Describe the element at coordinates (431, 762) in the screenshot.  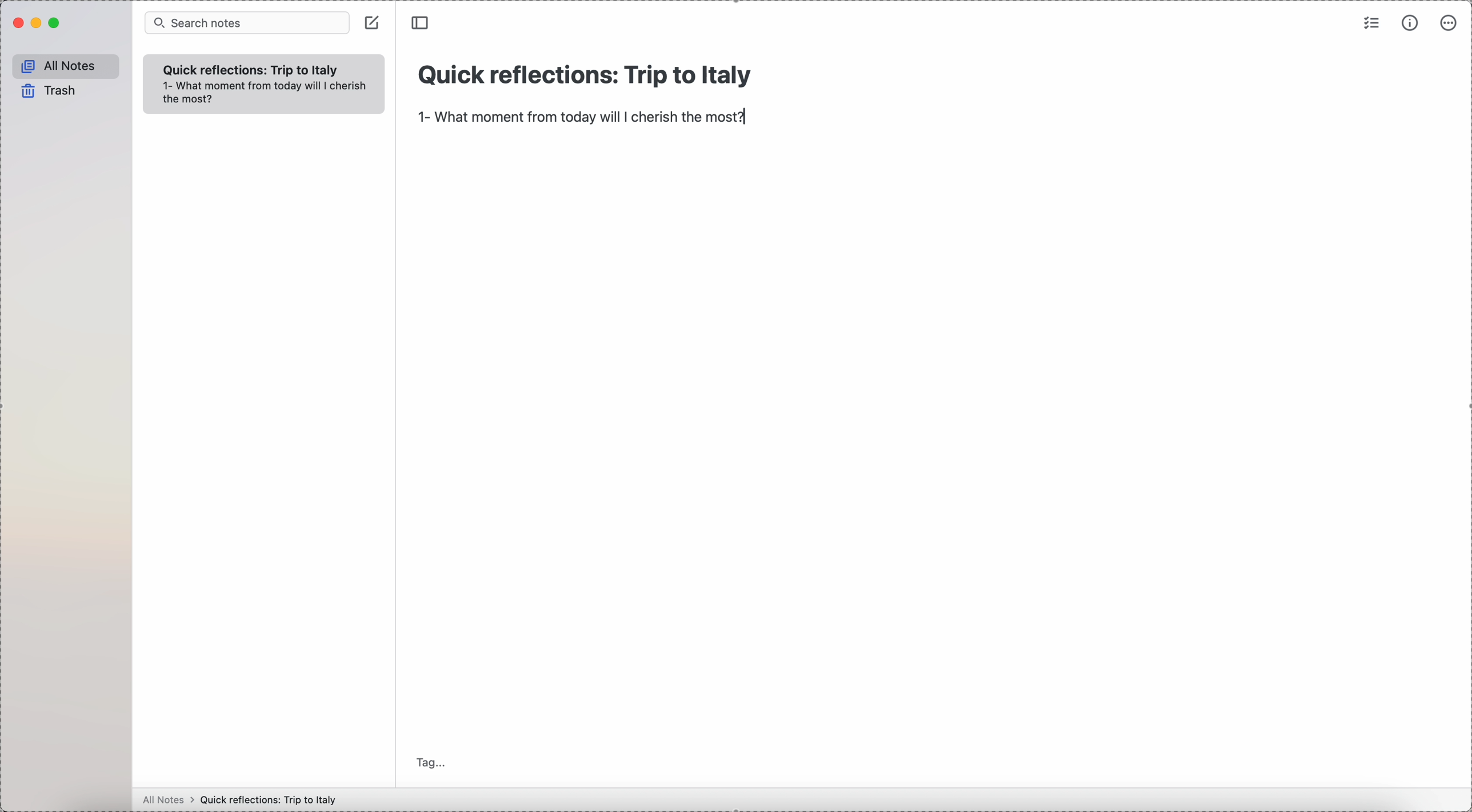
I see `tag` at that location.